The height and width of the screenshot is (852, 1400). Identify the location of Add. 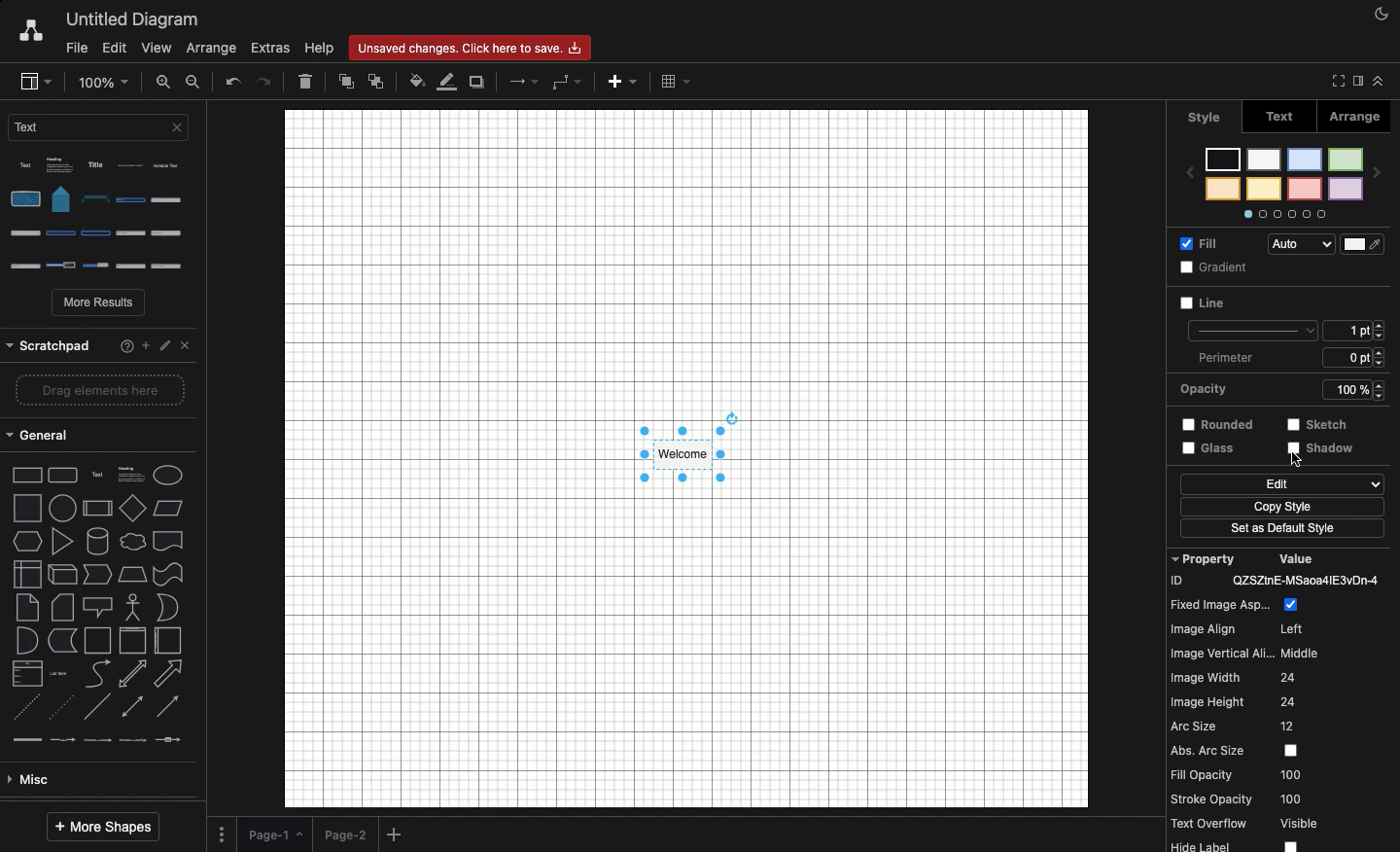
(620, 85).